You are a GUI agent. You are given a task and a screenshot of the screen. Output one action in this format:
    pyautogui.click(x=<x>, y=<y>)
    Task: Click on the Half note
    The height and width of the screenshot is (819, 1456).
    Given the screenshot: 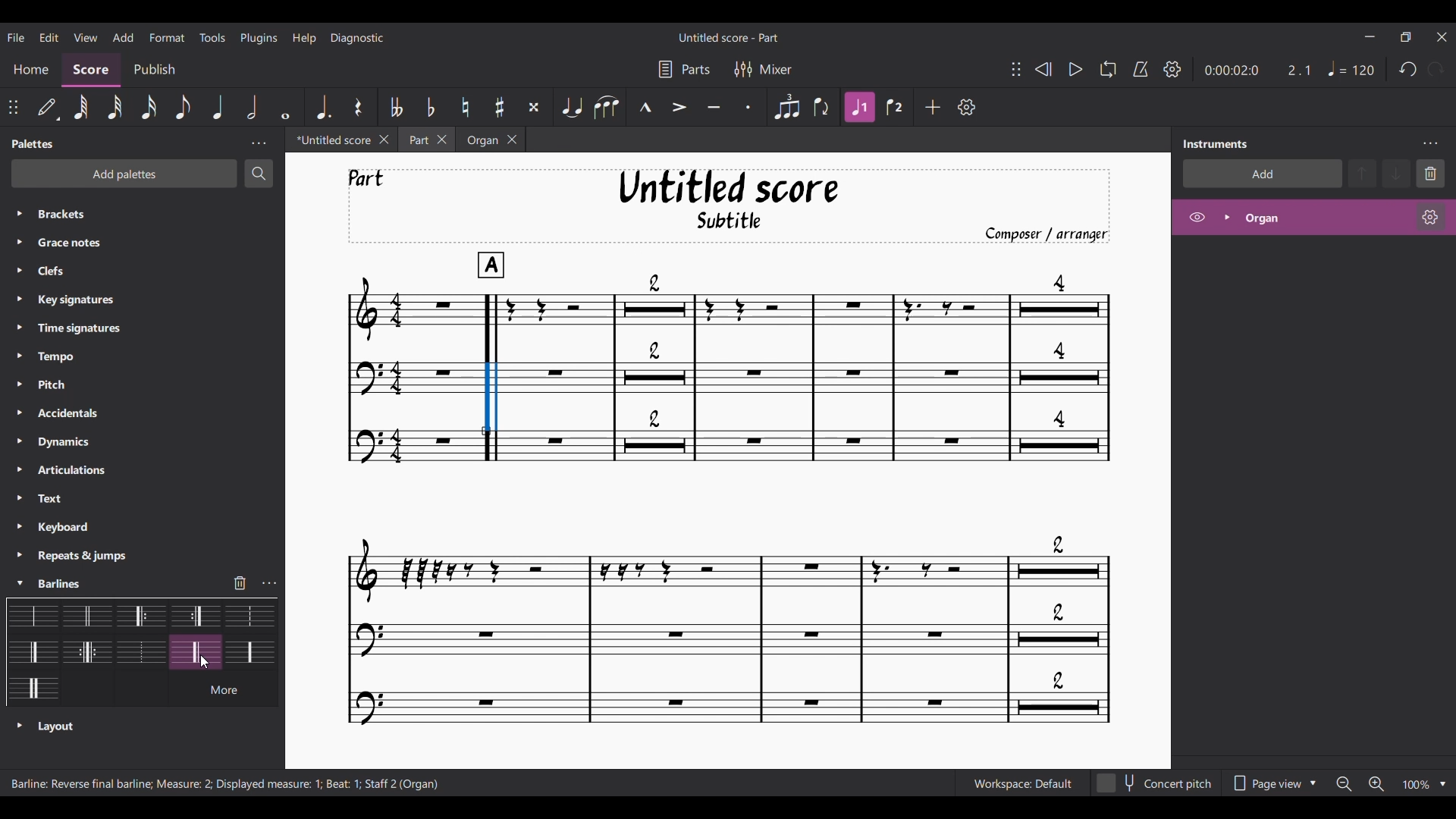 What is the action you would take?
    pyautogui.click(x=252, y=106)
    